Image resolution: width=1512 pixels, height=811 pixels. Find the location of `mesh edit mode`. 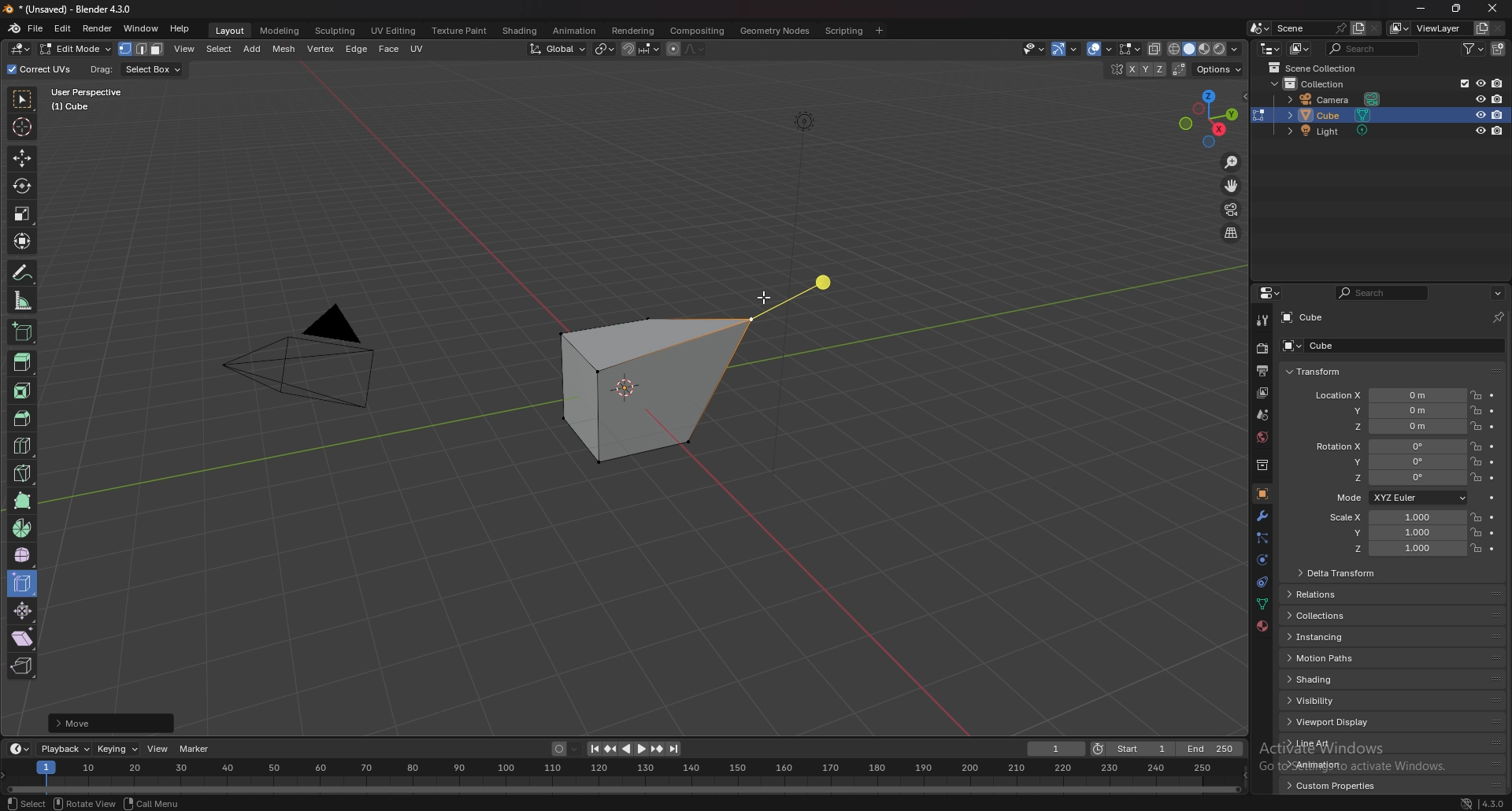

mesh edit mode is located at coordinates (1128, 50).